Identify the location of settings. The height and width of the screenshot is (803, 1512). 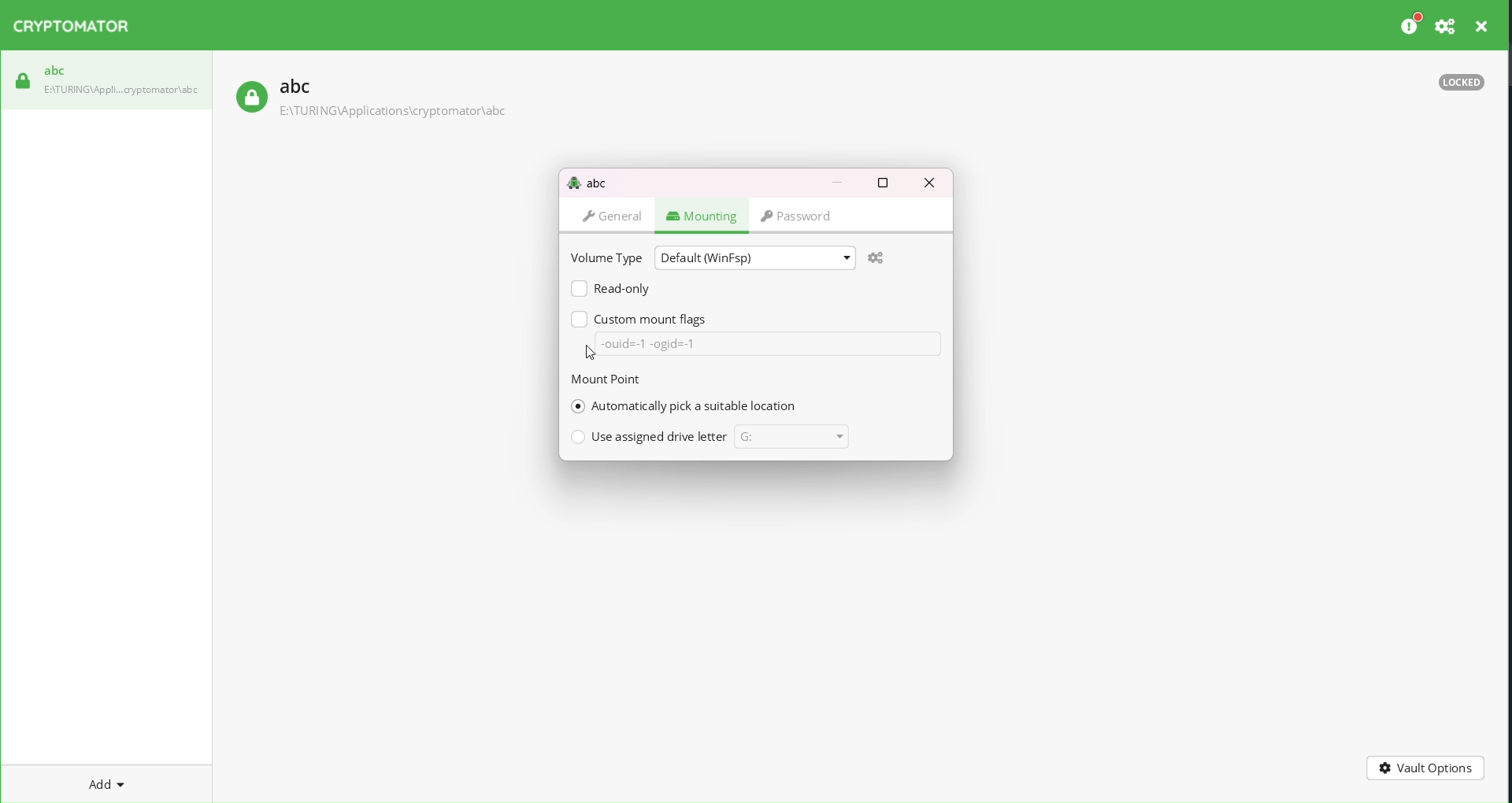
(876, 257).